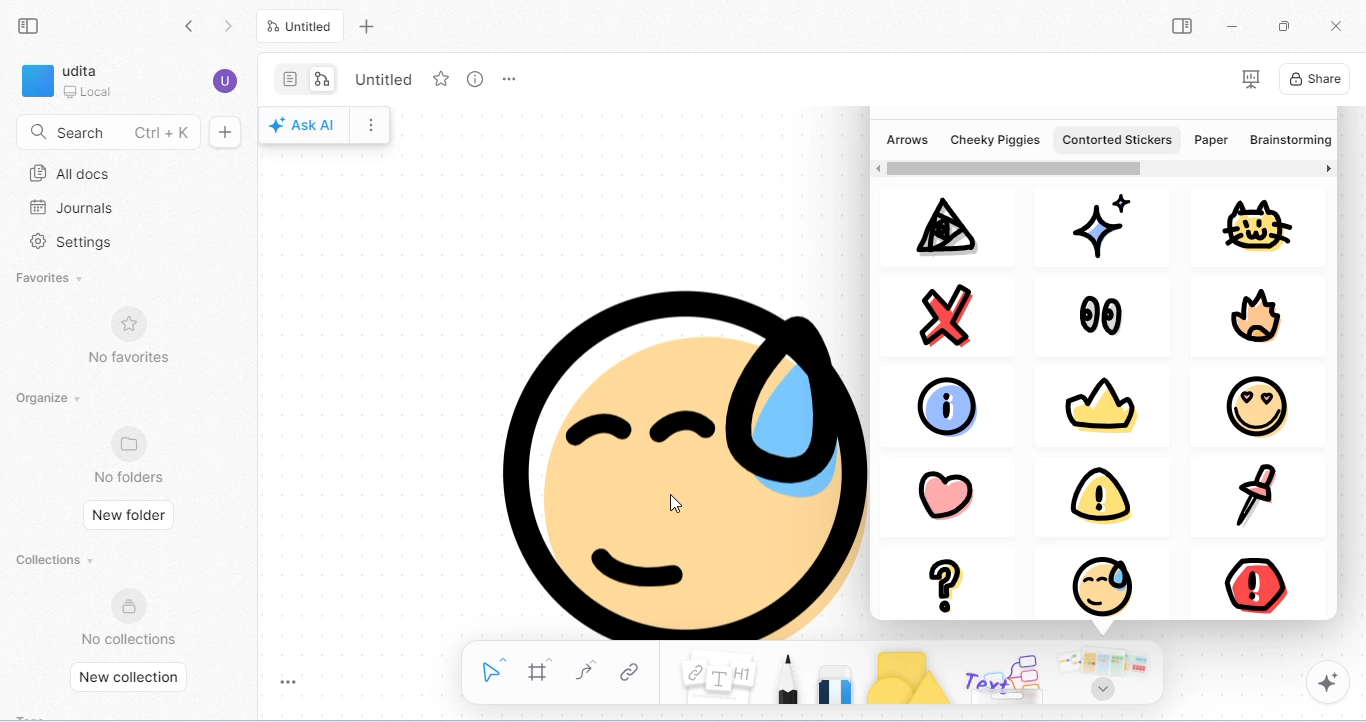  Describe the element at coordinates (1252, 577) in the screenshot. I see `stop` at that location.